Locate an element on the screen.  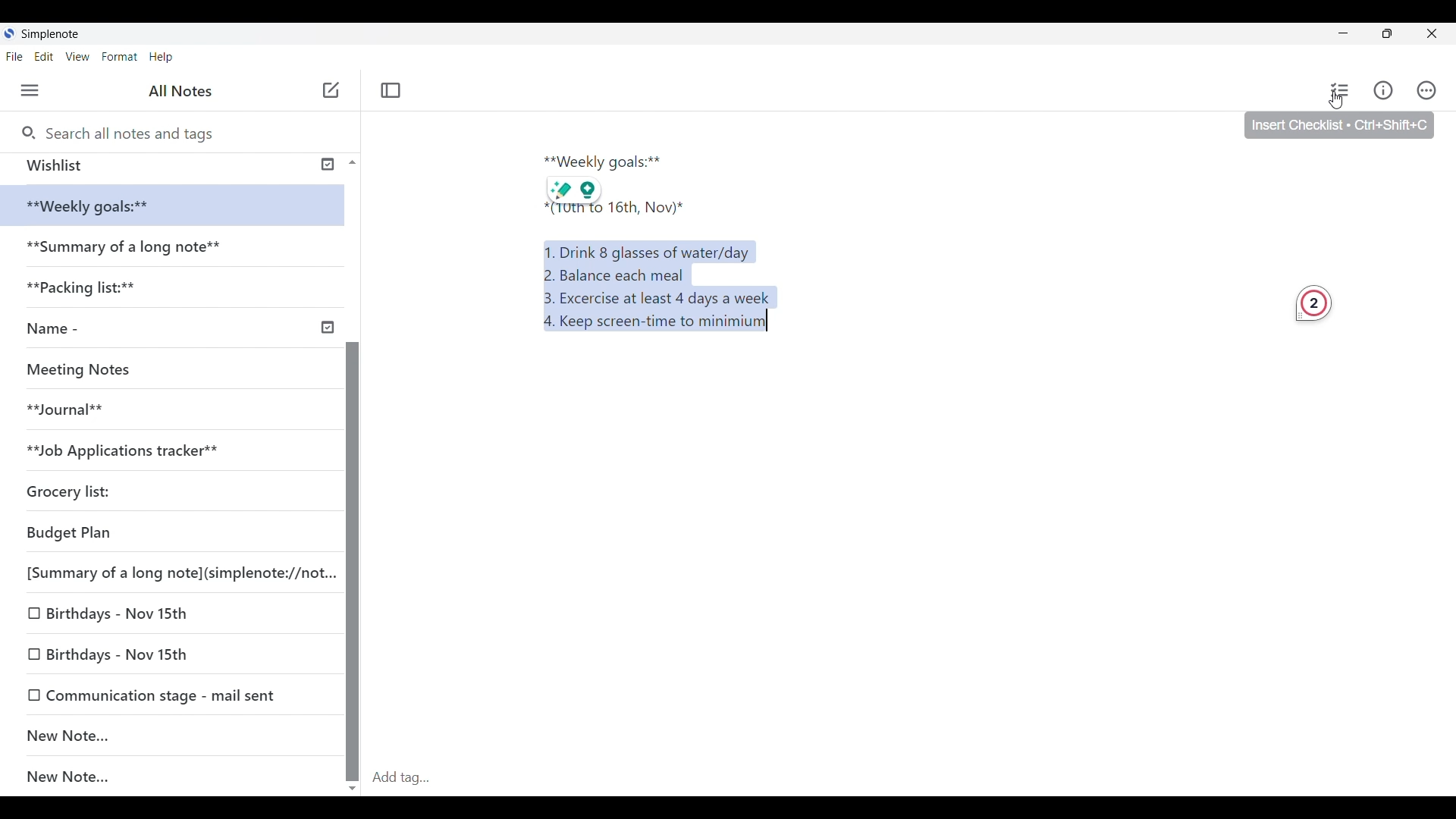
Communication stage - mail sent is located at coordinates (172, 695).